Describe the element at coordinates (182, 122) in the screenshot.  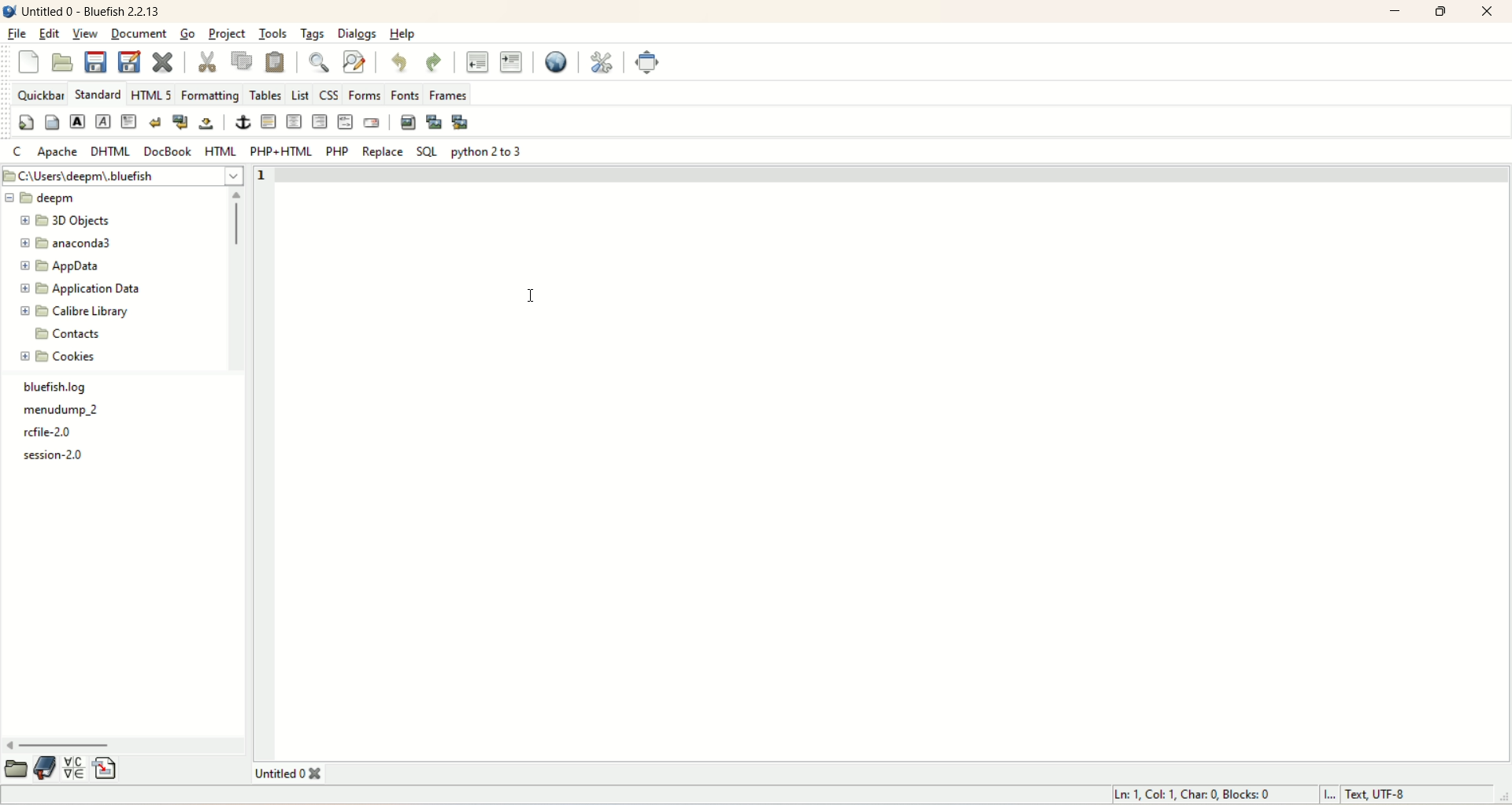
I see `break and clear` at that location.